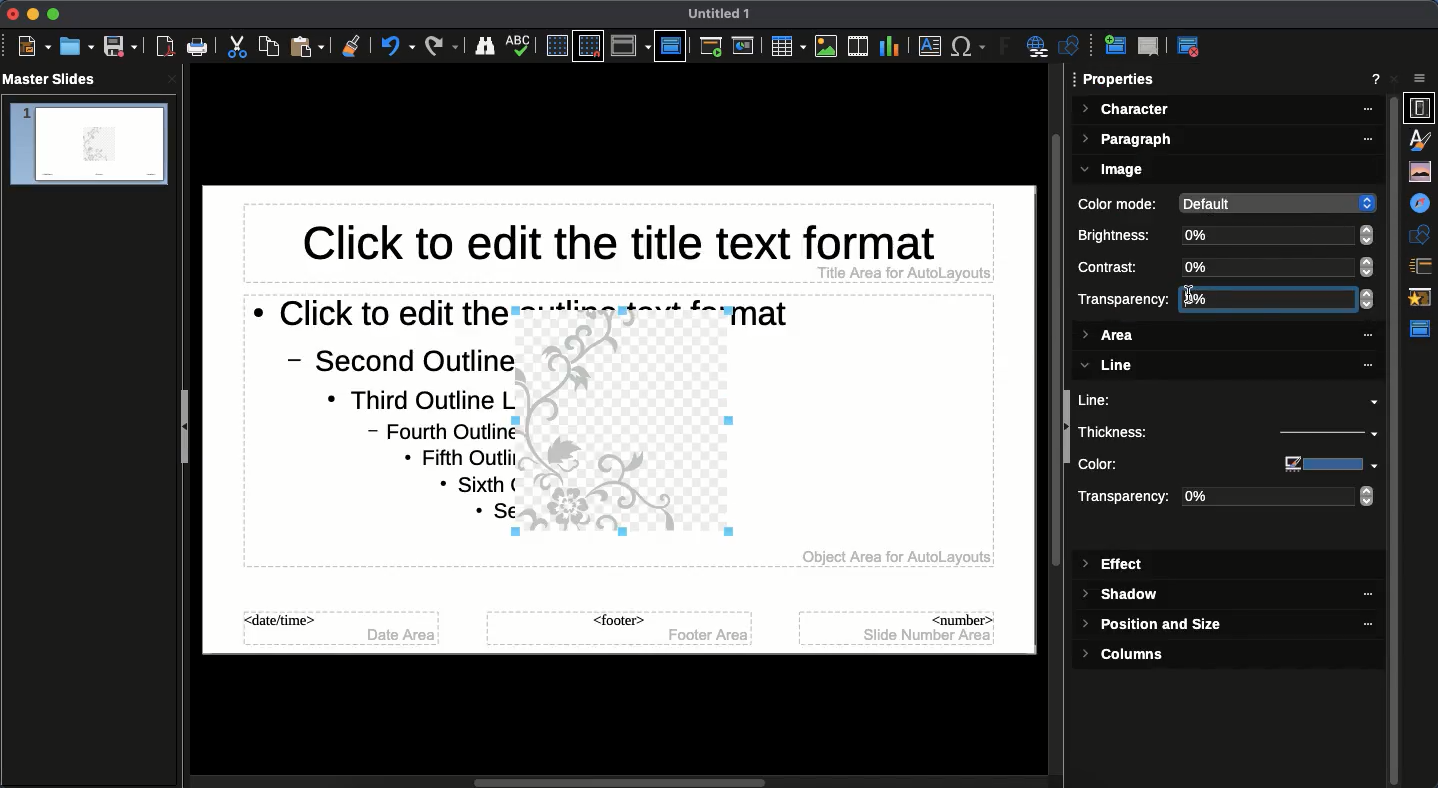 The image size is (1438, 788). I want to click on Minimize, so click(30, 14).